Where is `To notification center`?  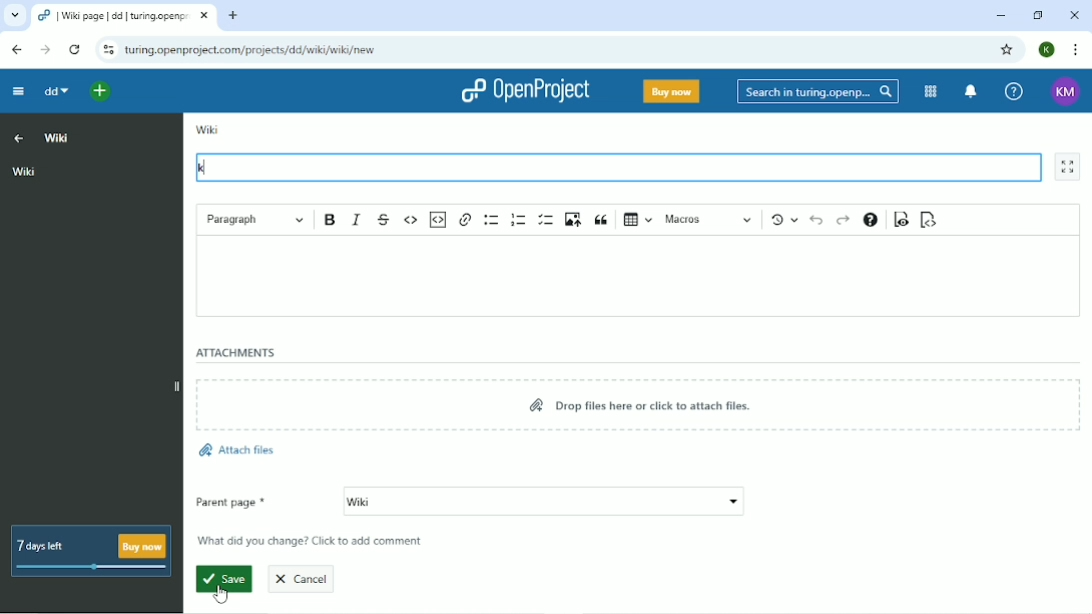 To notification center is located at coordinates (971, 91).